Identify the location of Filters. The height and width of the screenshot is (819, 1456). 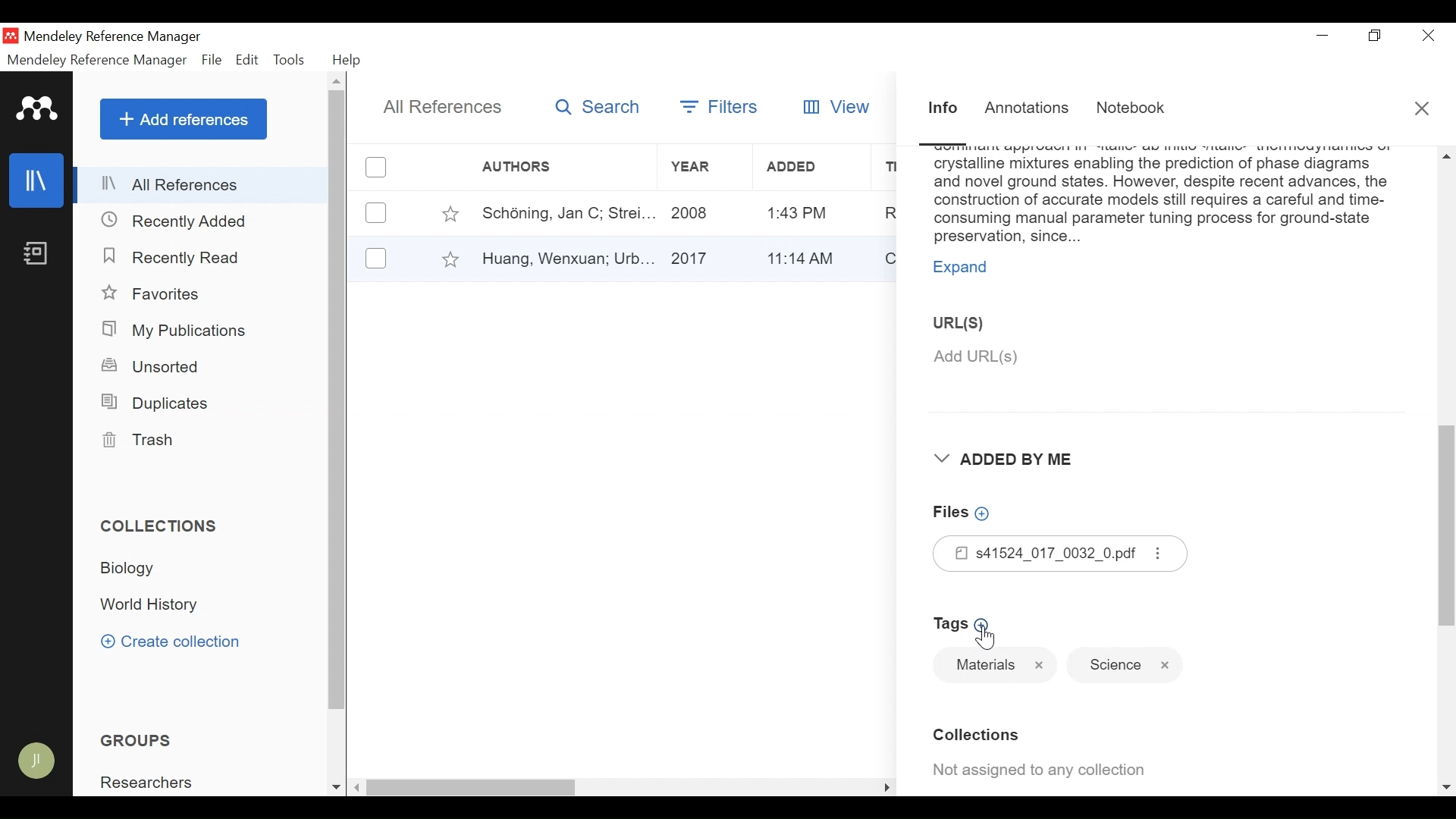
(717, 106).